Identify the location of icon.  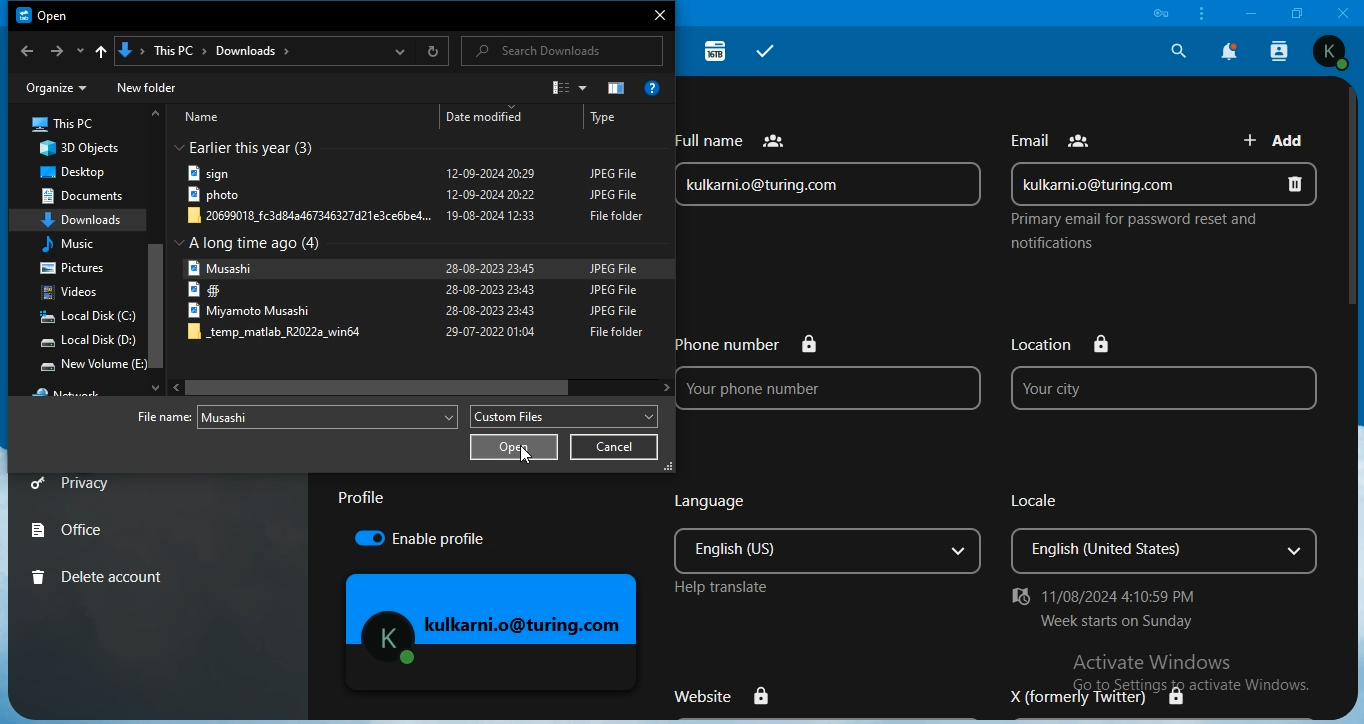
(1164, 13).